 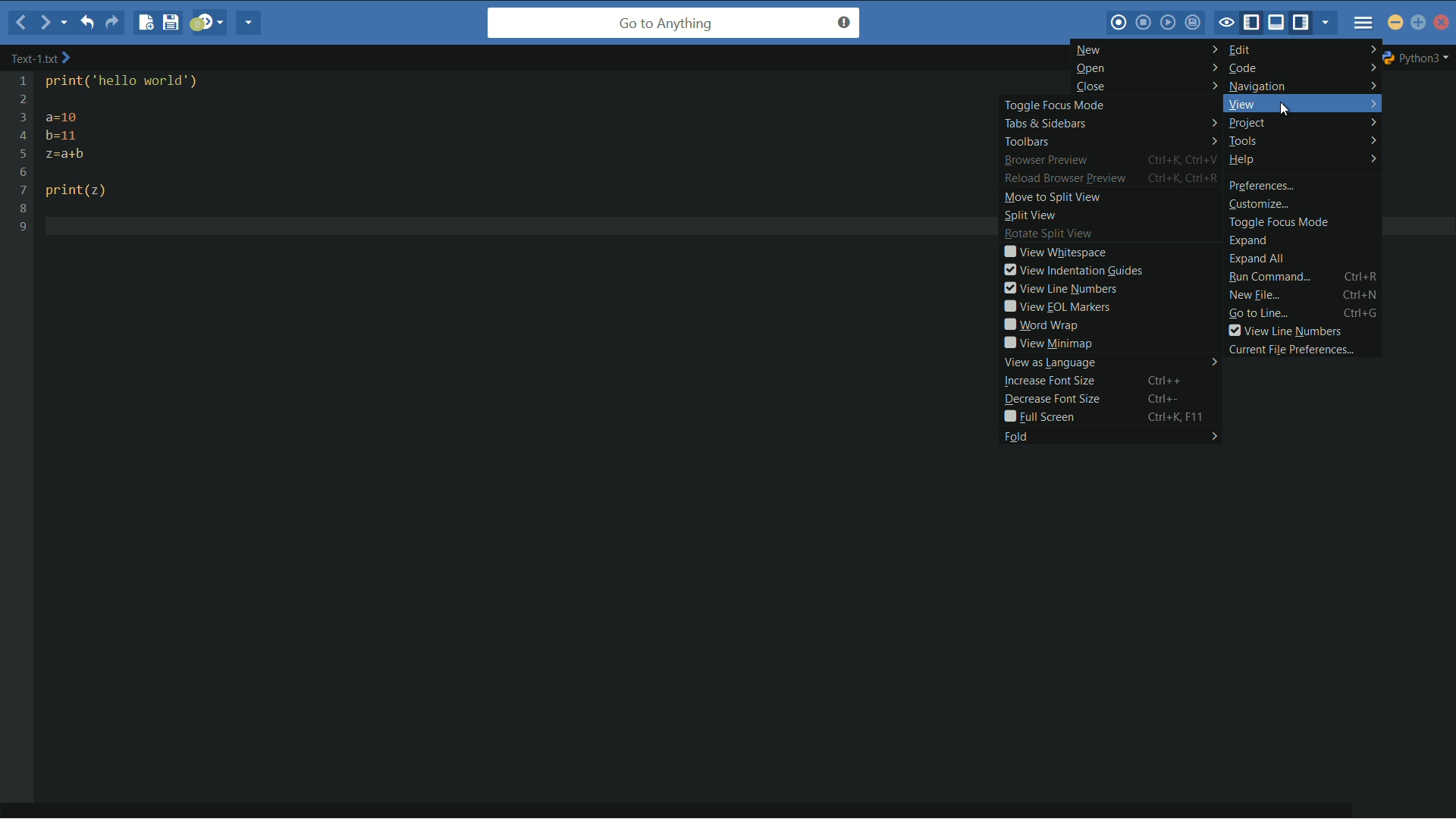 What do you see at coordinates (1107, 362) in the screenshot?
I see `view as language` at bounding box center [1107, 362].